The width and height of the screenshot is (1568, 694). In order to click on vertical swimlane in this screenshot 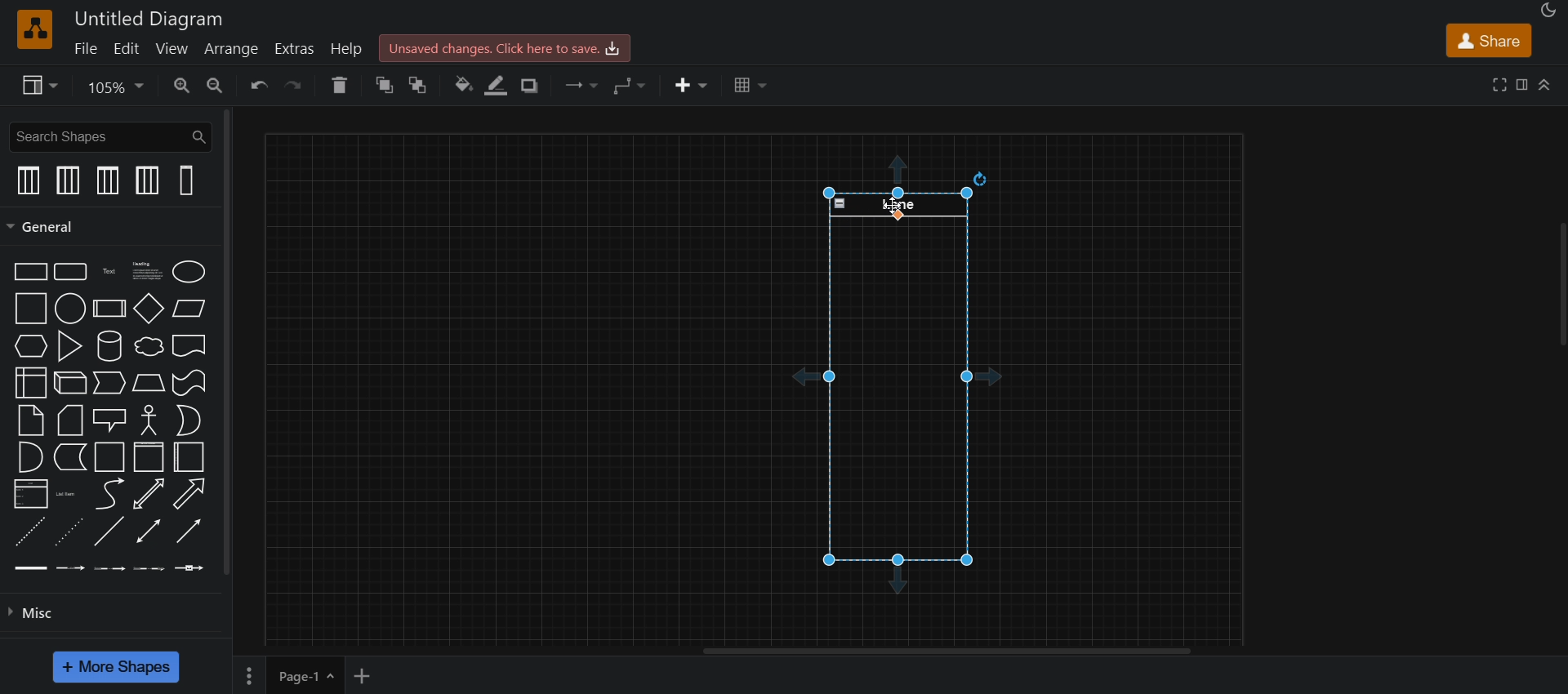, I will do `click(899, 377)`.